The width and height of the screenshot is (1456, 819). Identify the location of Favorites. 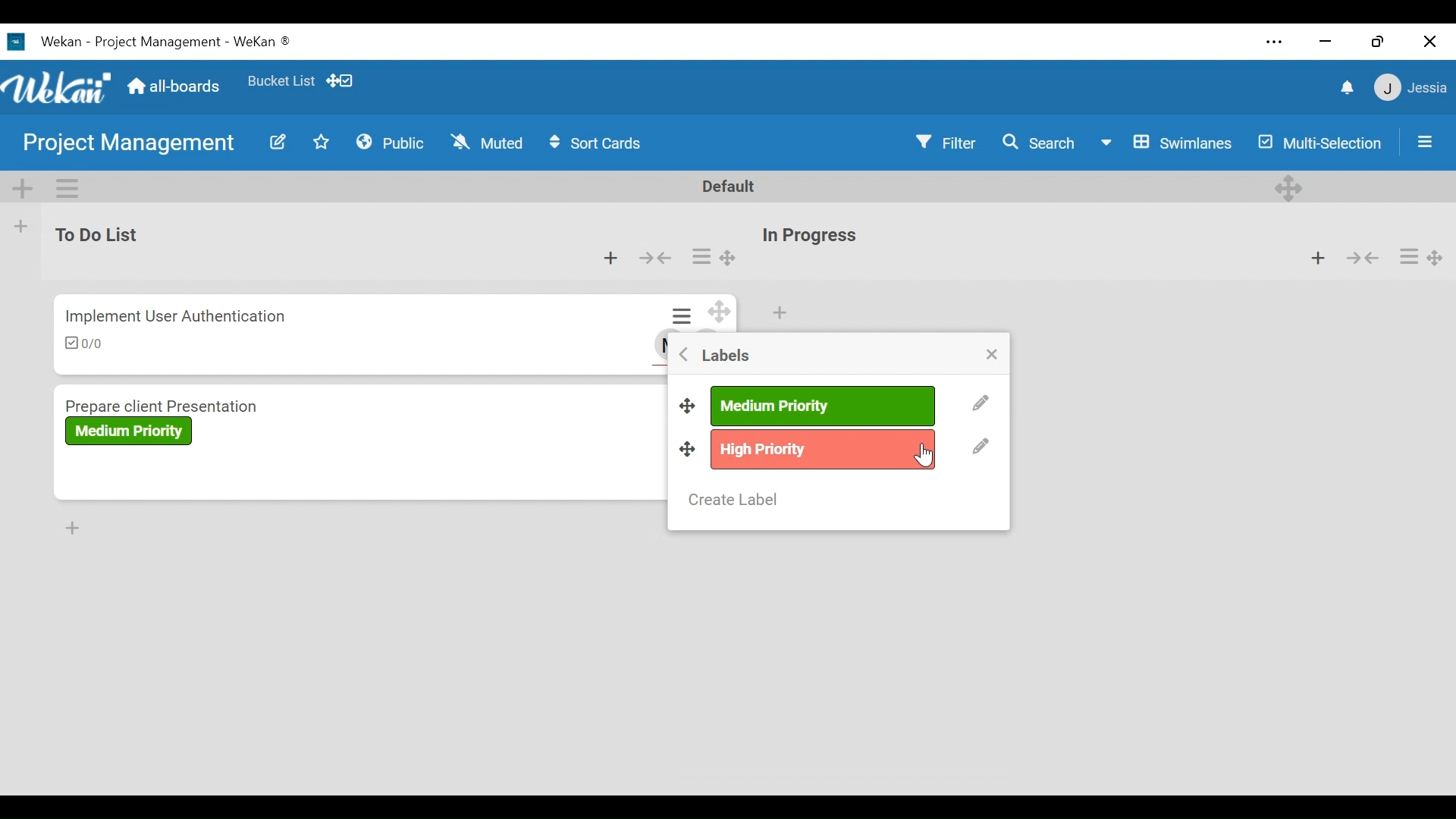
(322, 141).